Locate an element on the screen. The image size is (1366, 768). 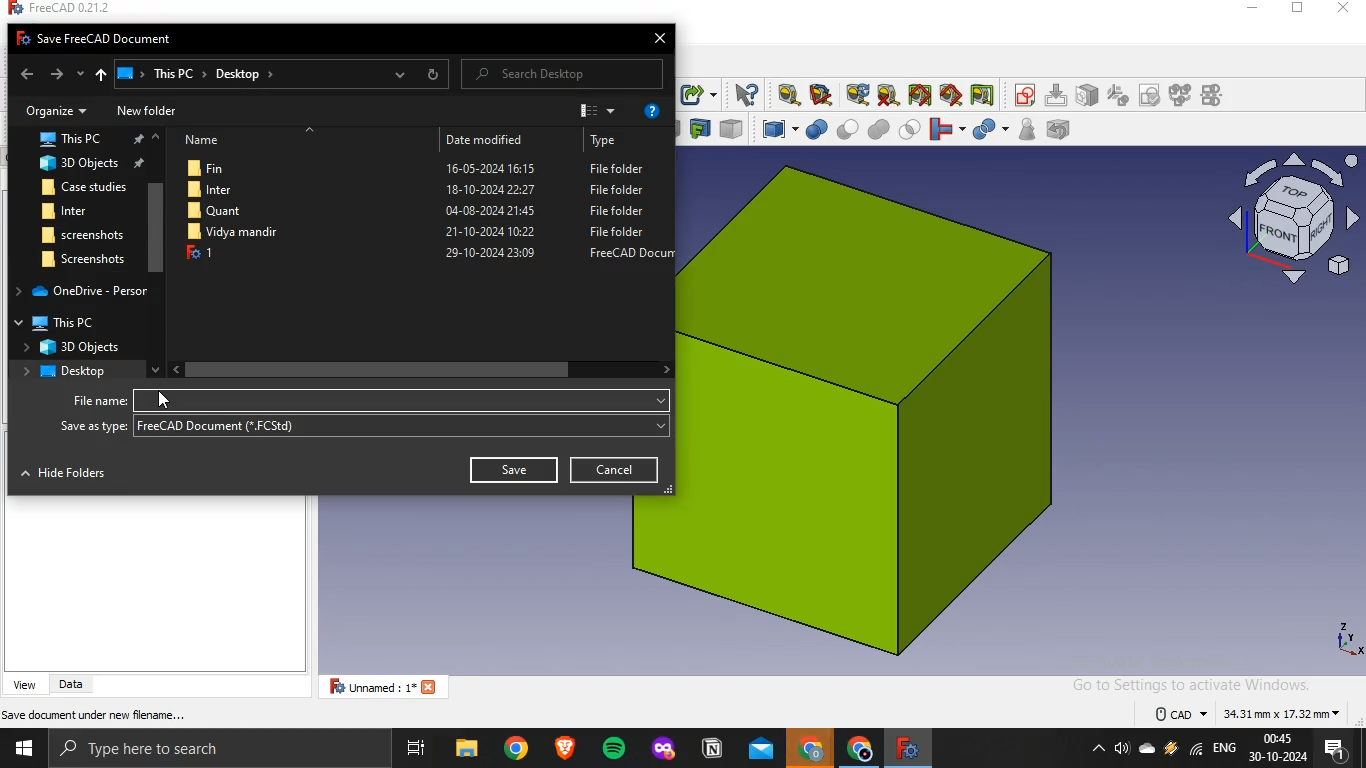
unnamed is located at coordinates (389, 687).